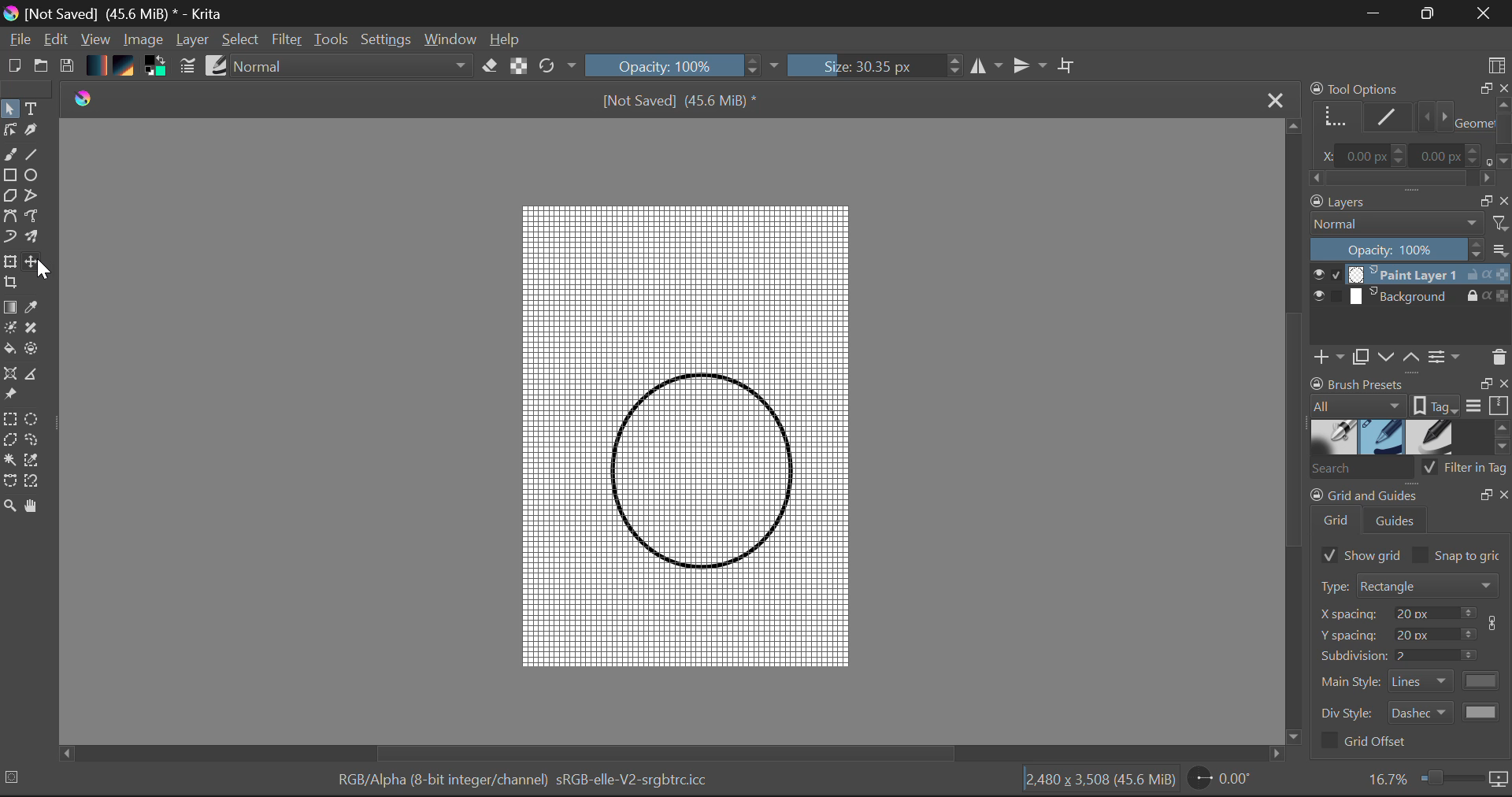 Image resolution: width=1512 pixels, height=797 pixels. What do you see at coordinates (1069, 69) in the screenshot?
I see `Crop` at bounding box center [1069, 69].